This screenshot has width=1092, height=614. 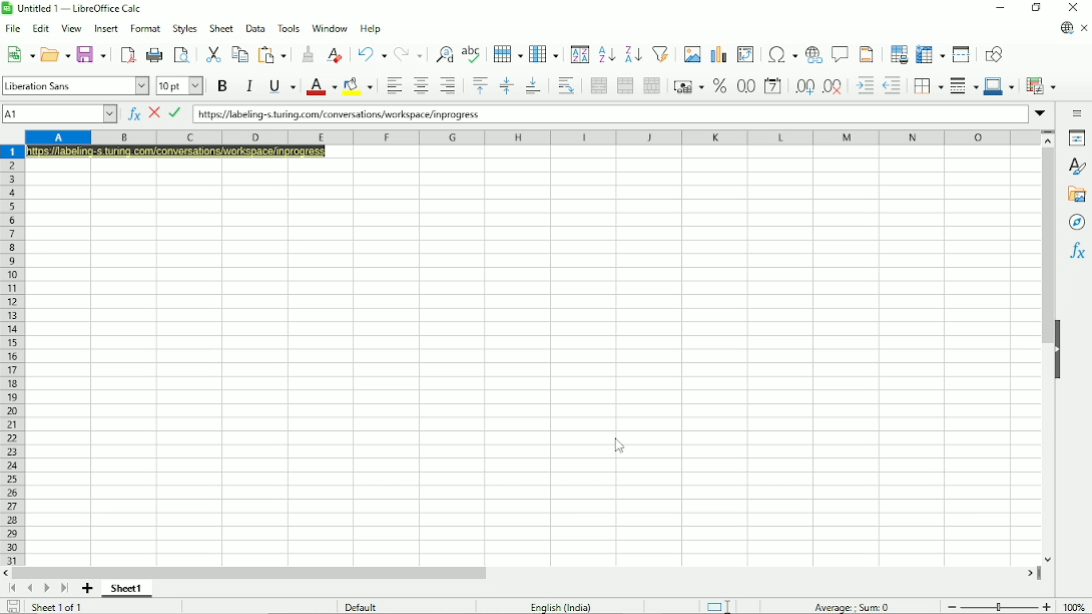 What do you see at coordinates (92, 54) in the screenshot?
I see `Save` at bounding box center [92, 54].